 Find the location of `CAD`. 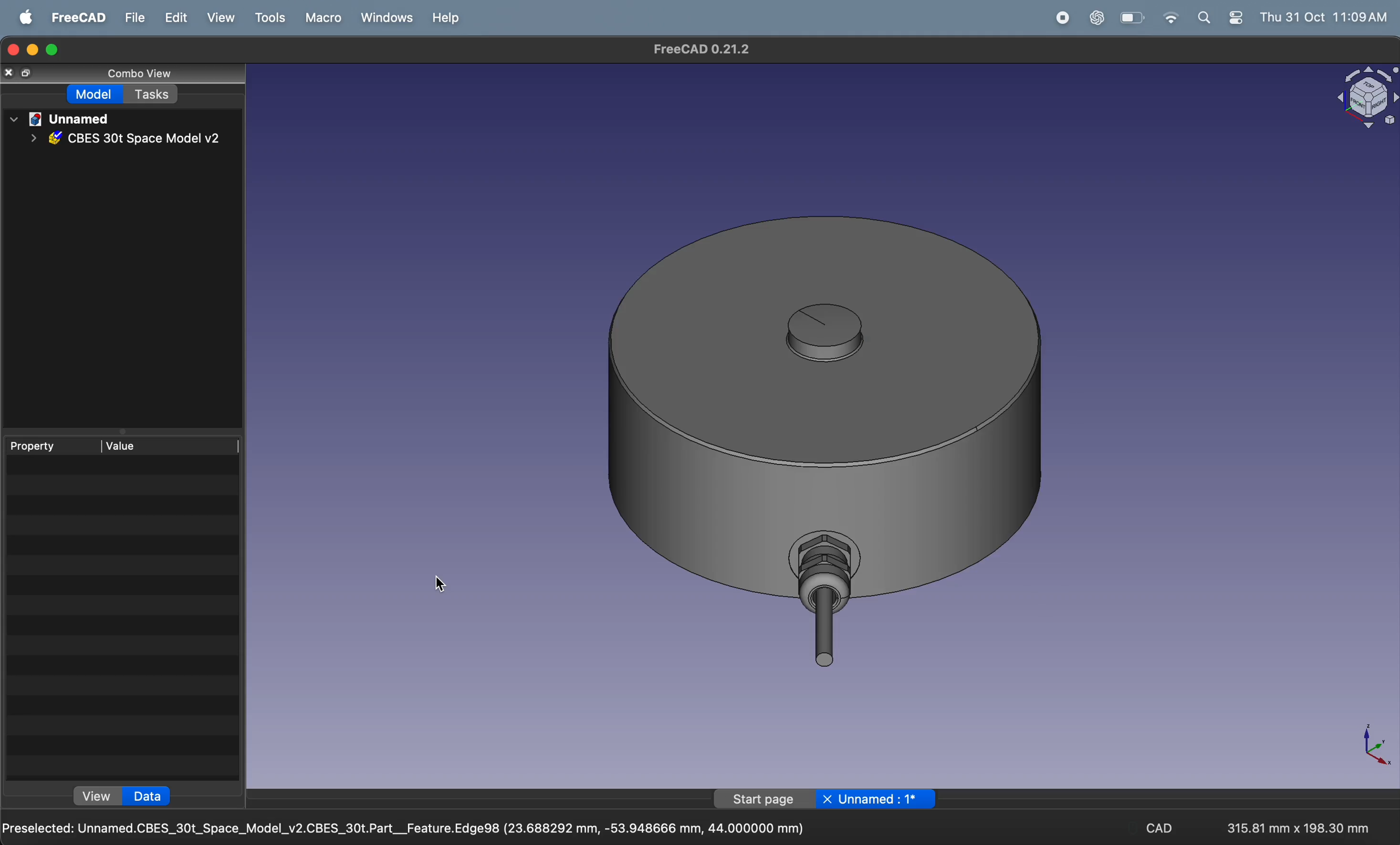

CAD is located at coordinates (1161, 827).